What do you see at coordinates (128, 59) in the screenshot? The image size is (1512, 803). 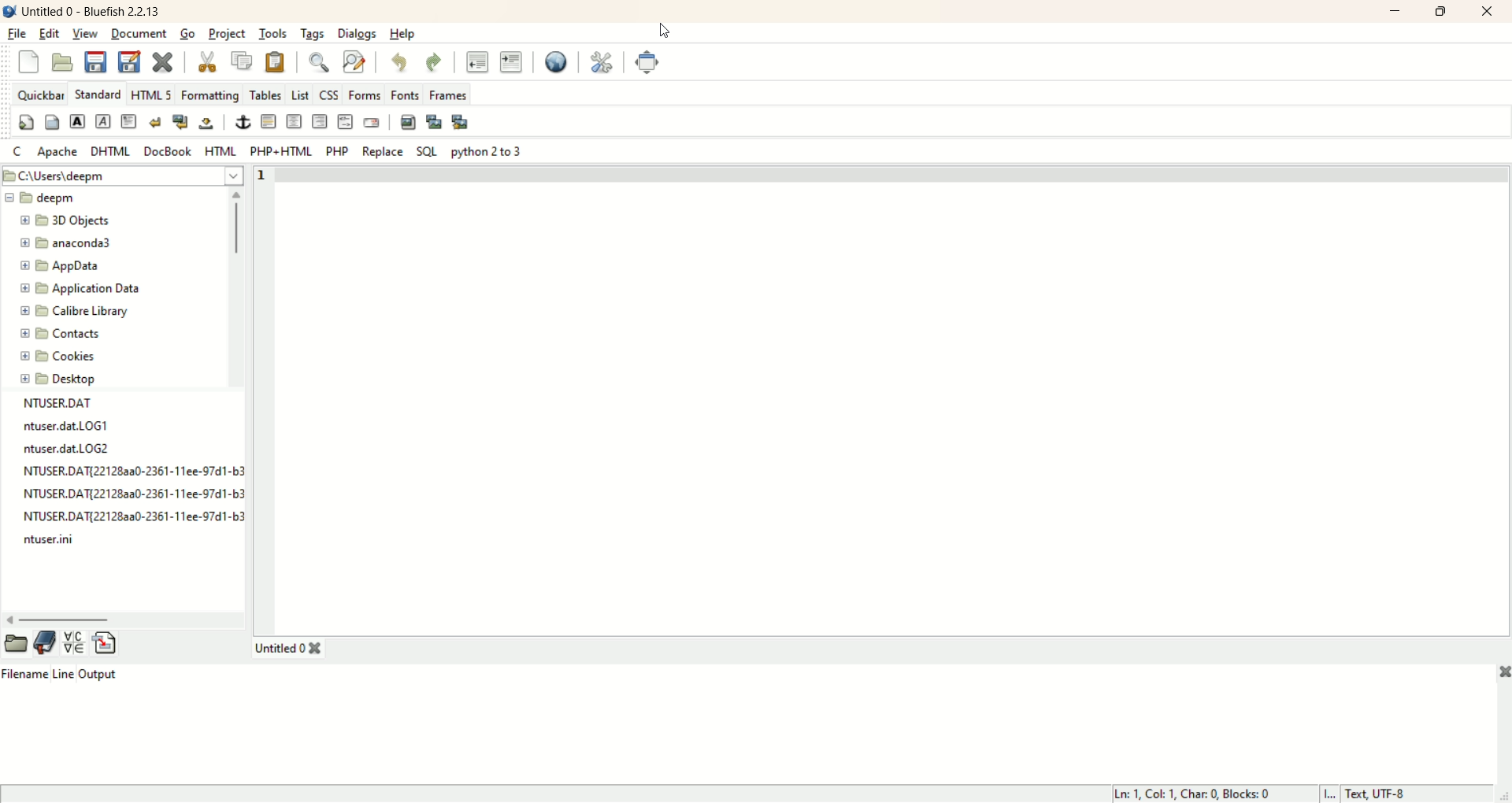 I see `save file as` at bounding box center [128, 59].